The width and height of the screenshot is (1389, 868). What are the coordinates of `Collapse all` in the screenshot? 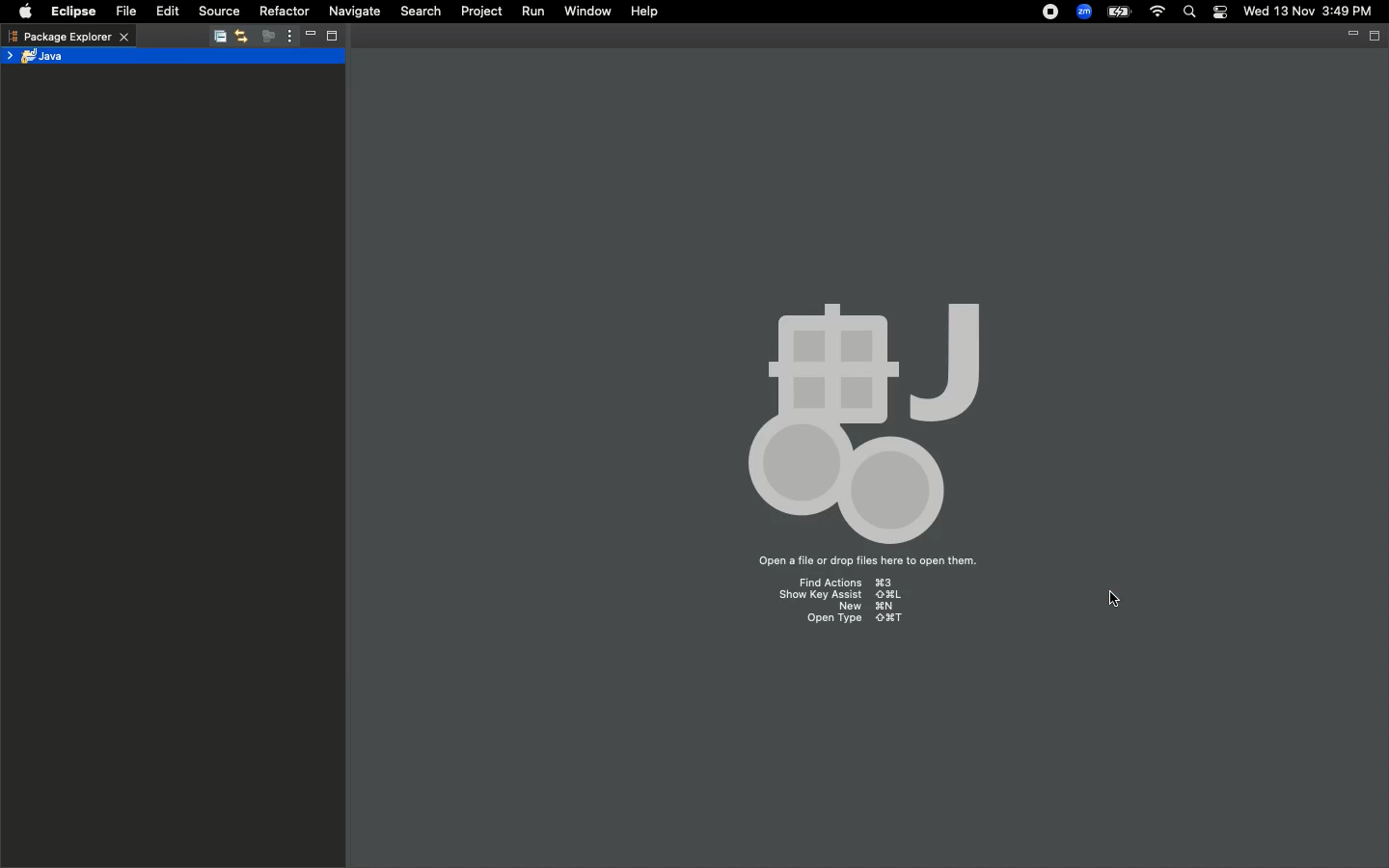 It's located at (218, 38).